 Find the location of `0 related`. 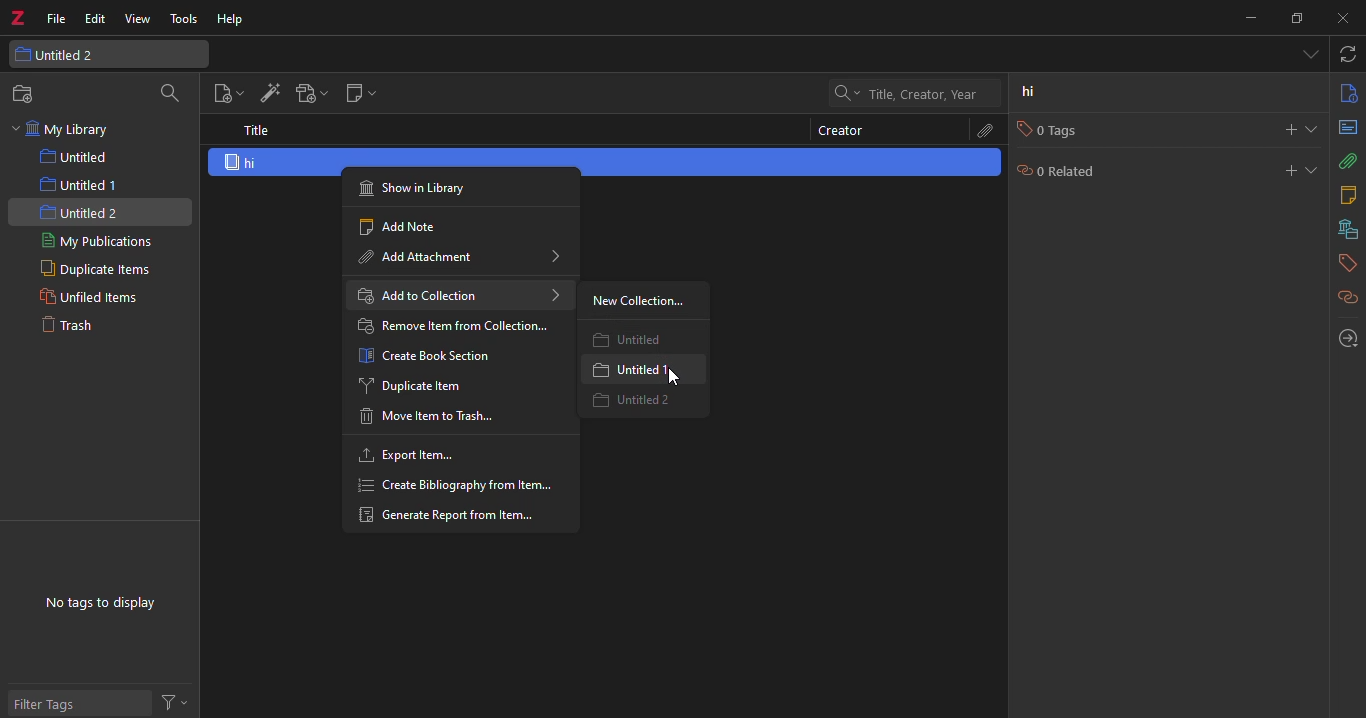

0 related is located at coordinates (1058, 169).